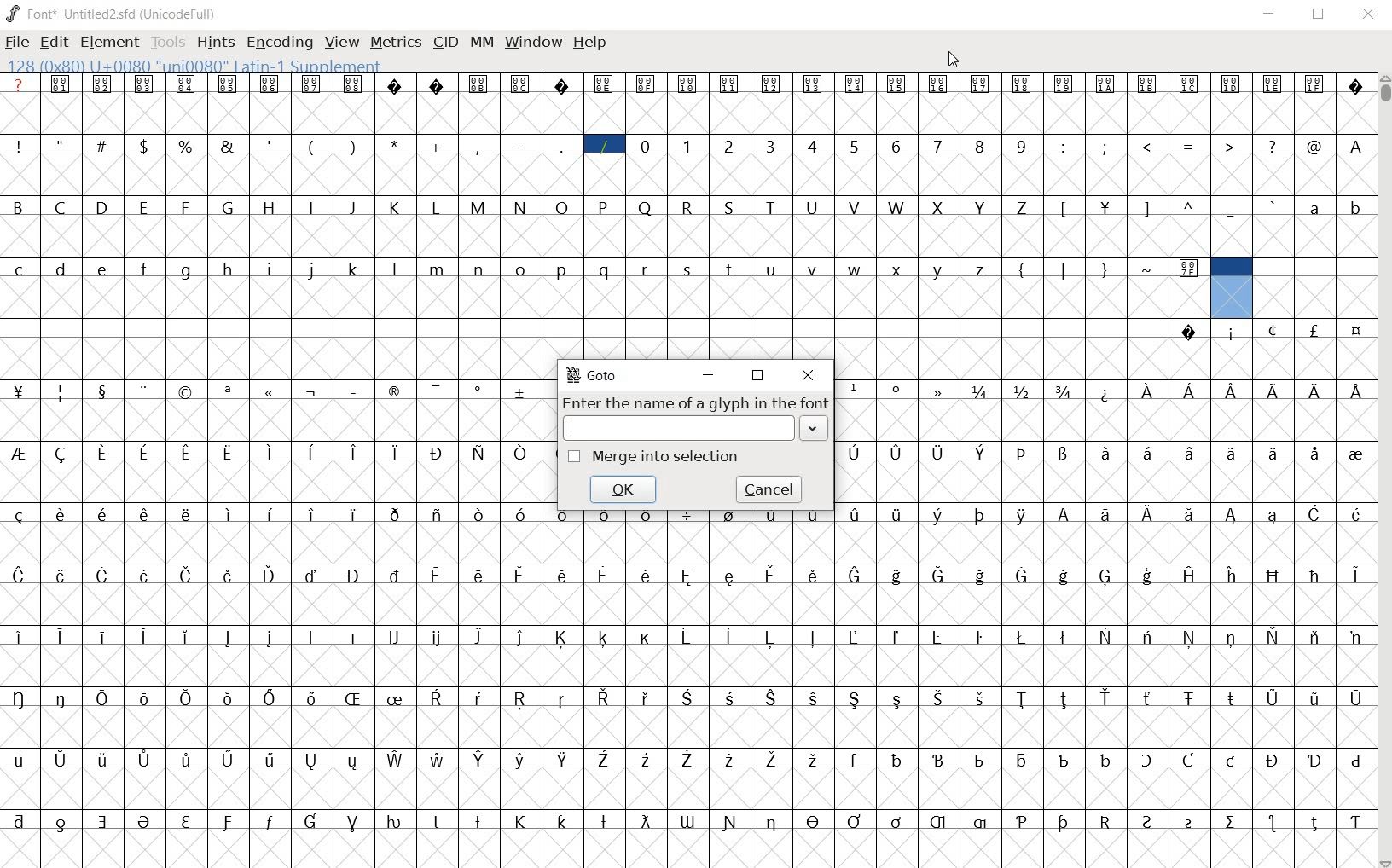 This screenshot has height=868, width=1392. What do you see at coordinates (1189, 697) in the screenshot?
I see `Symbol` at bounding box center [1189, 697].